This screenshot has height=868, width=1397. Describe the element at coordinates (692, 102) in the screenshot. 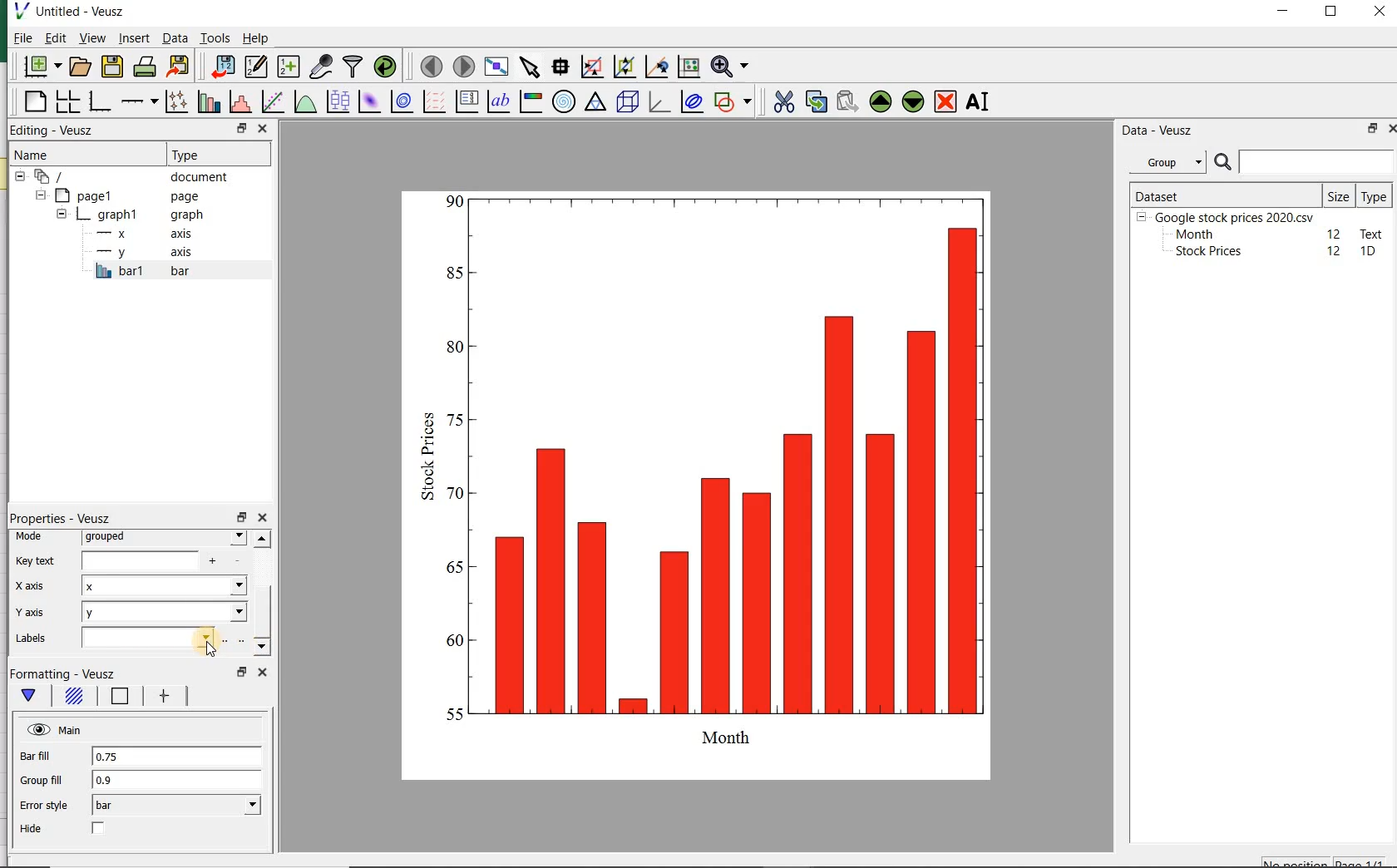

I see `plot covariance ellipses` at that location.